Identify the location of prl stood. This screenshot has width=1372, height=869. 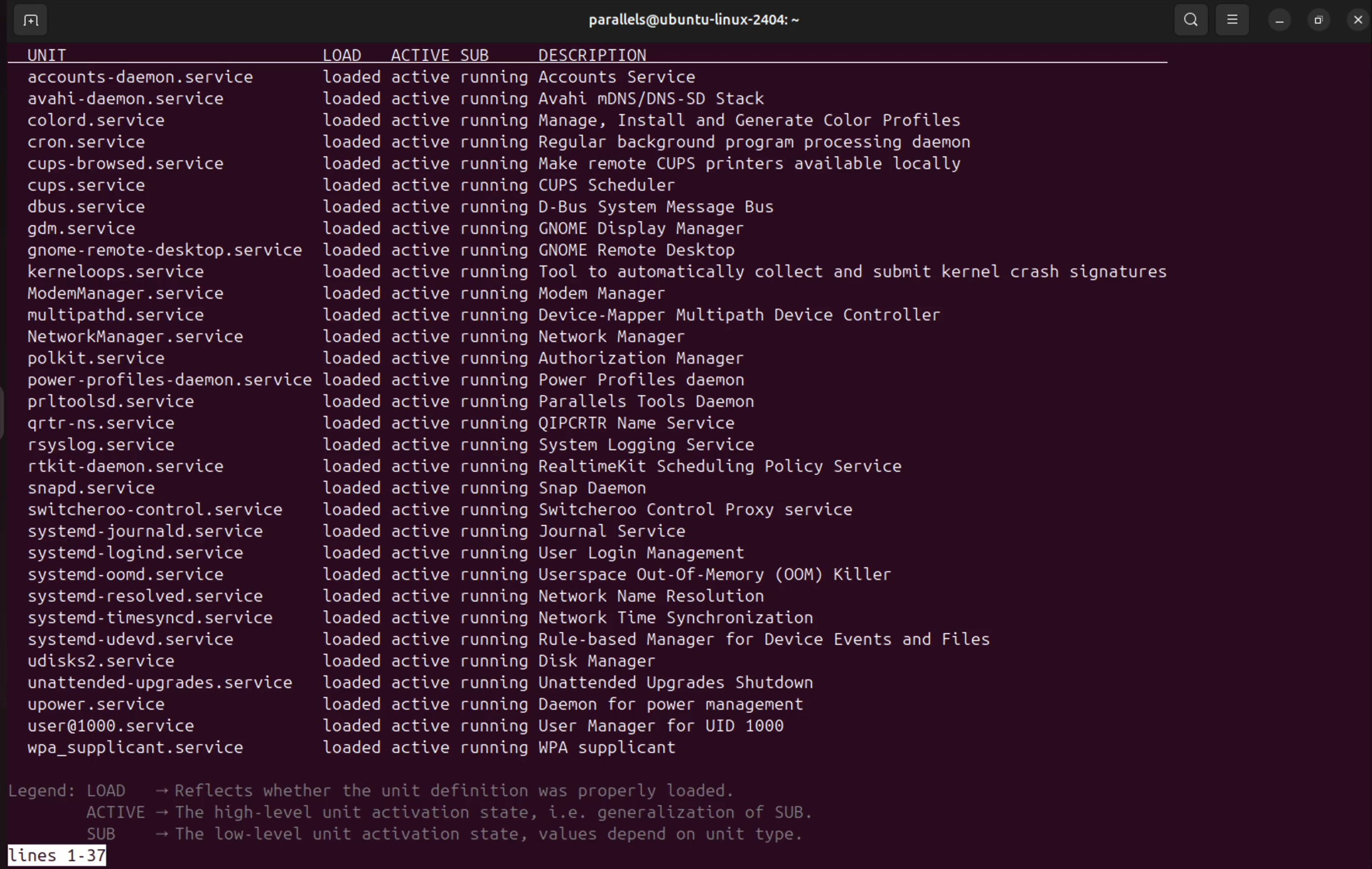
(147, 403).